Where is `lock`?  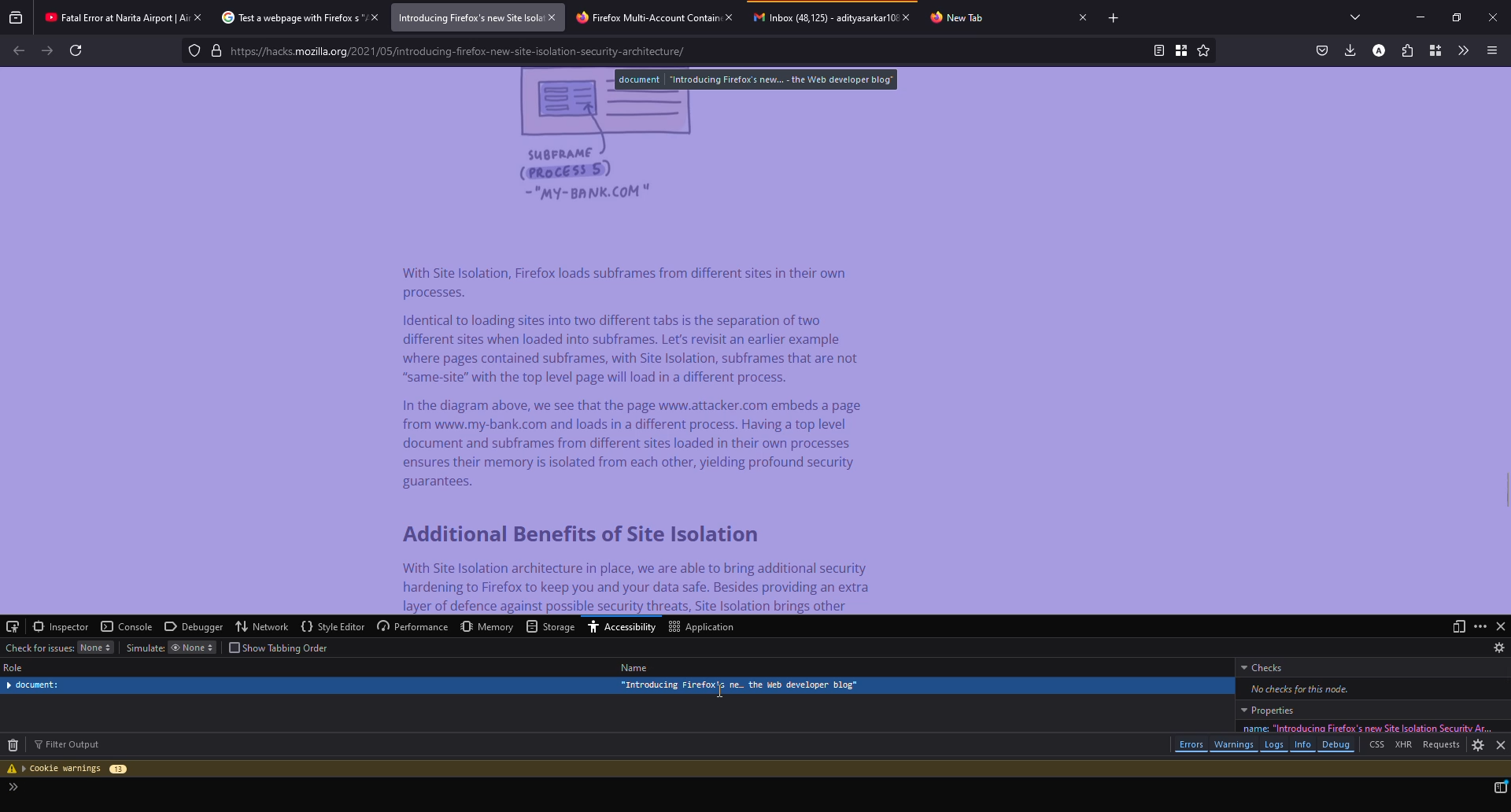
lock is located at coordinates (216, 50).